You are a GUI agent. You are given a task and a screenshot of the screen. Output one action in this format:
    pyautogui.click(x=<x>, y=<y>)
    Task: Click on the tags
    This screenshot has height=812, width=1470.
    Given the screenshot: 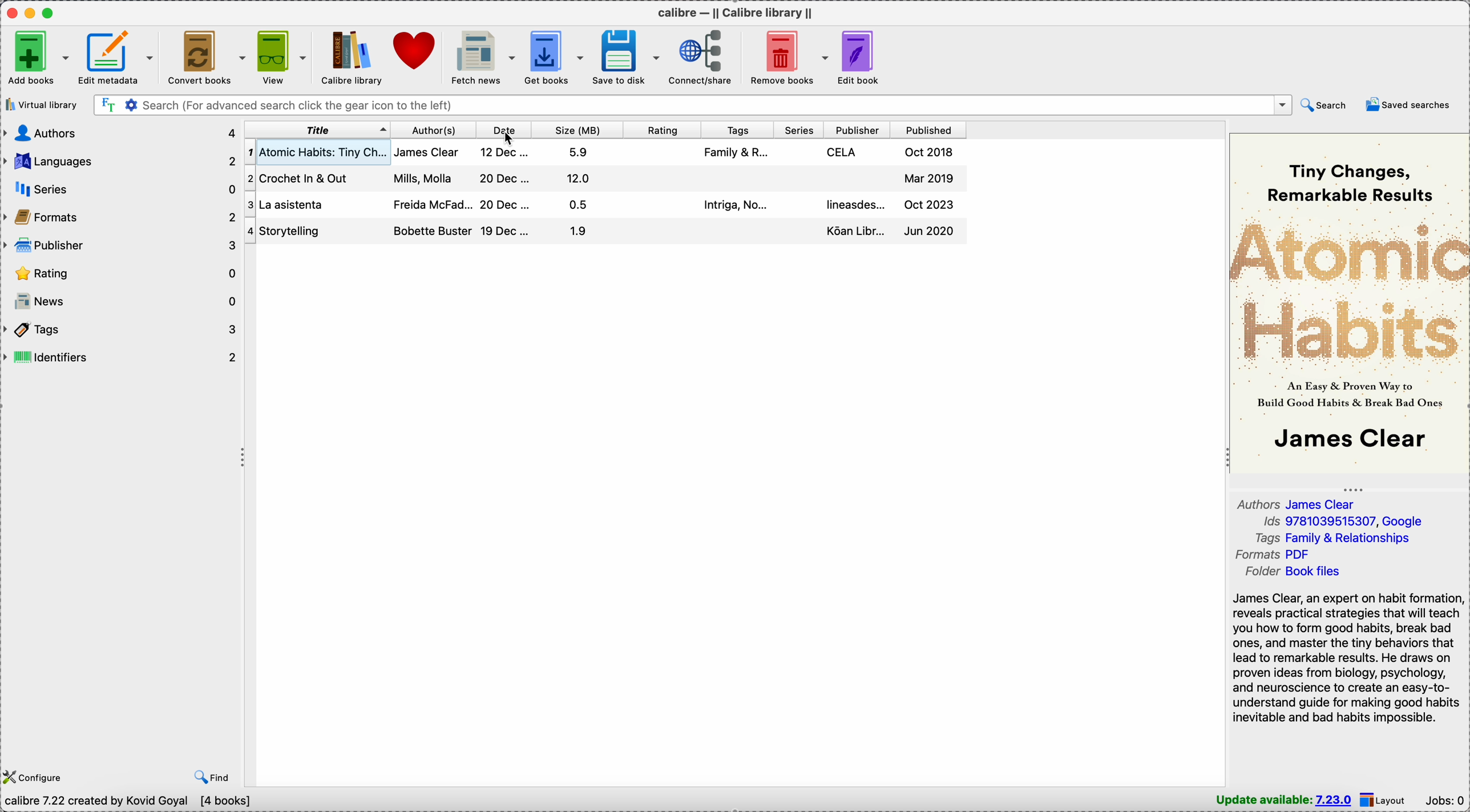 What is the action you would take?
    pyautogui.click(x=122, y=330)
    